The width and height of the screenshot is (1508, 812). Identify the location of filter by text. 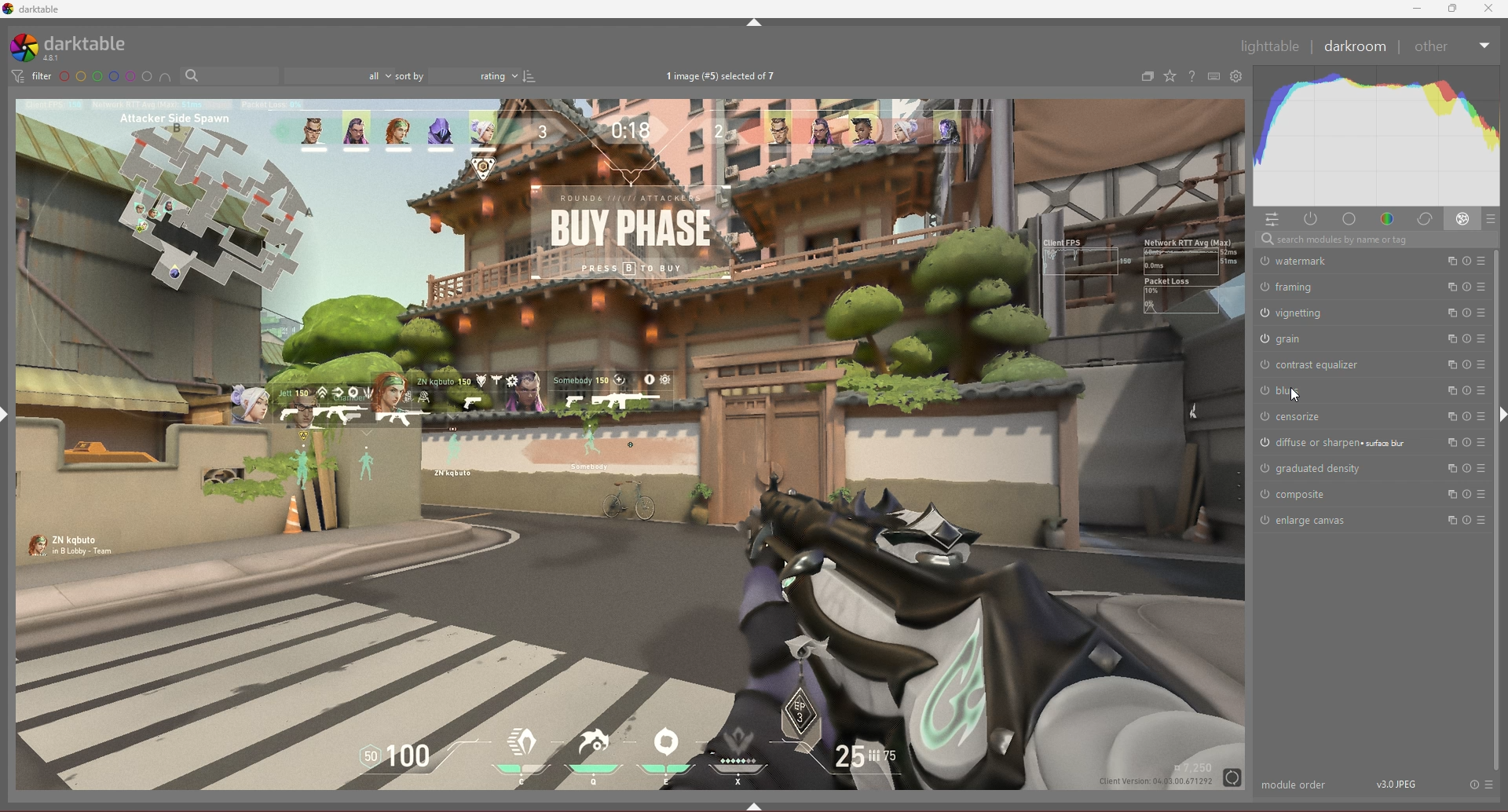
(230, 75).